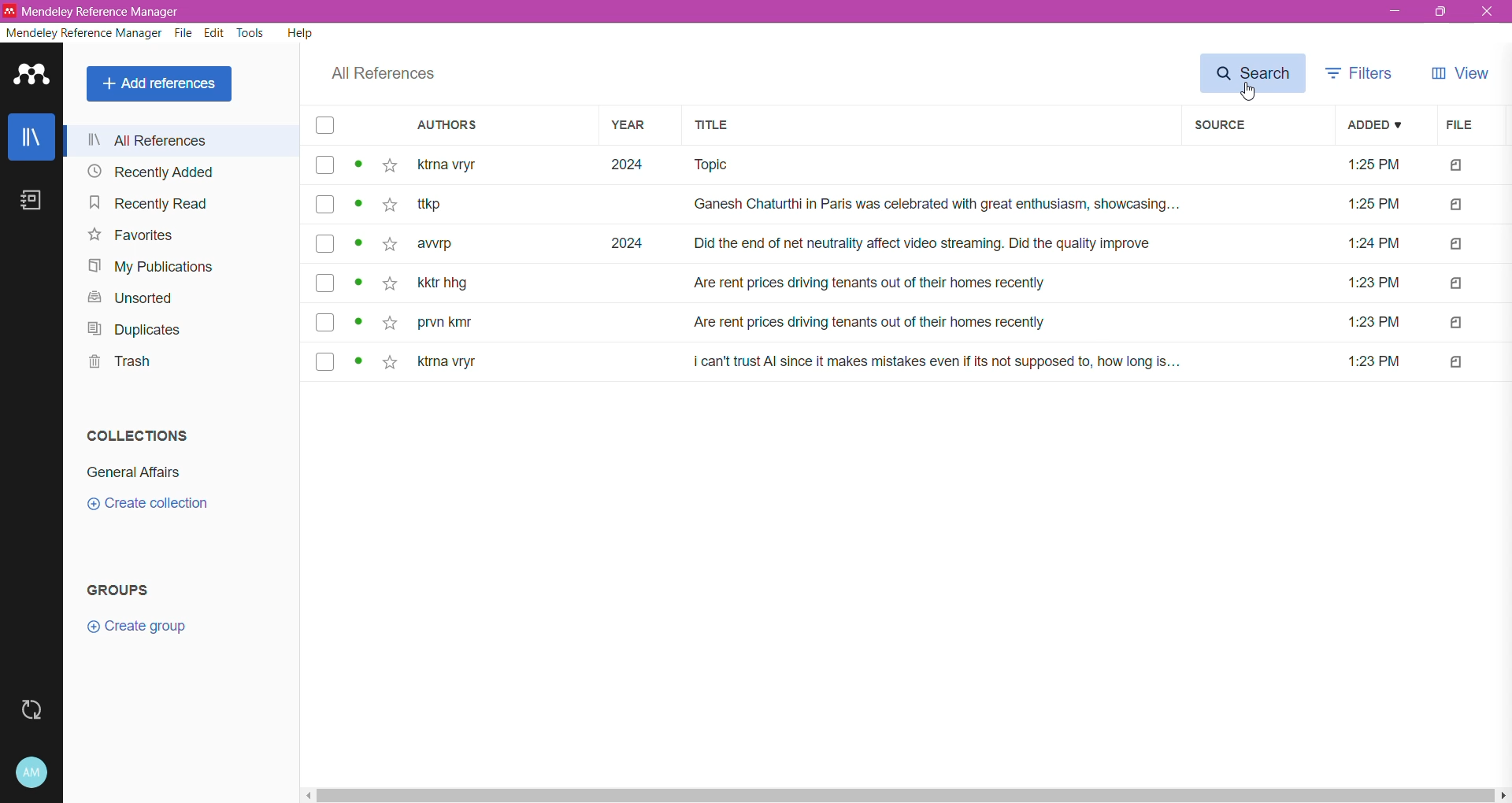 The height and width of the screenshot is (803, 1512). I want to click on Title, so click(930, 127).